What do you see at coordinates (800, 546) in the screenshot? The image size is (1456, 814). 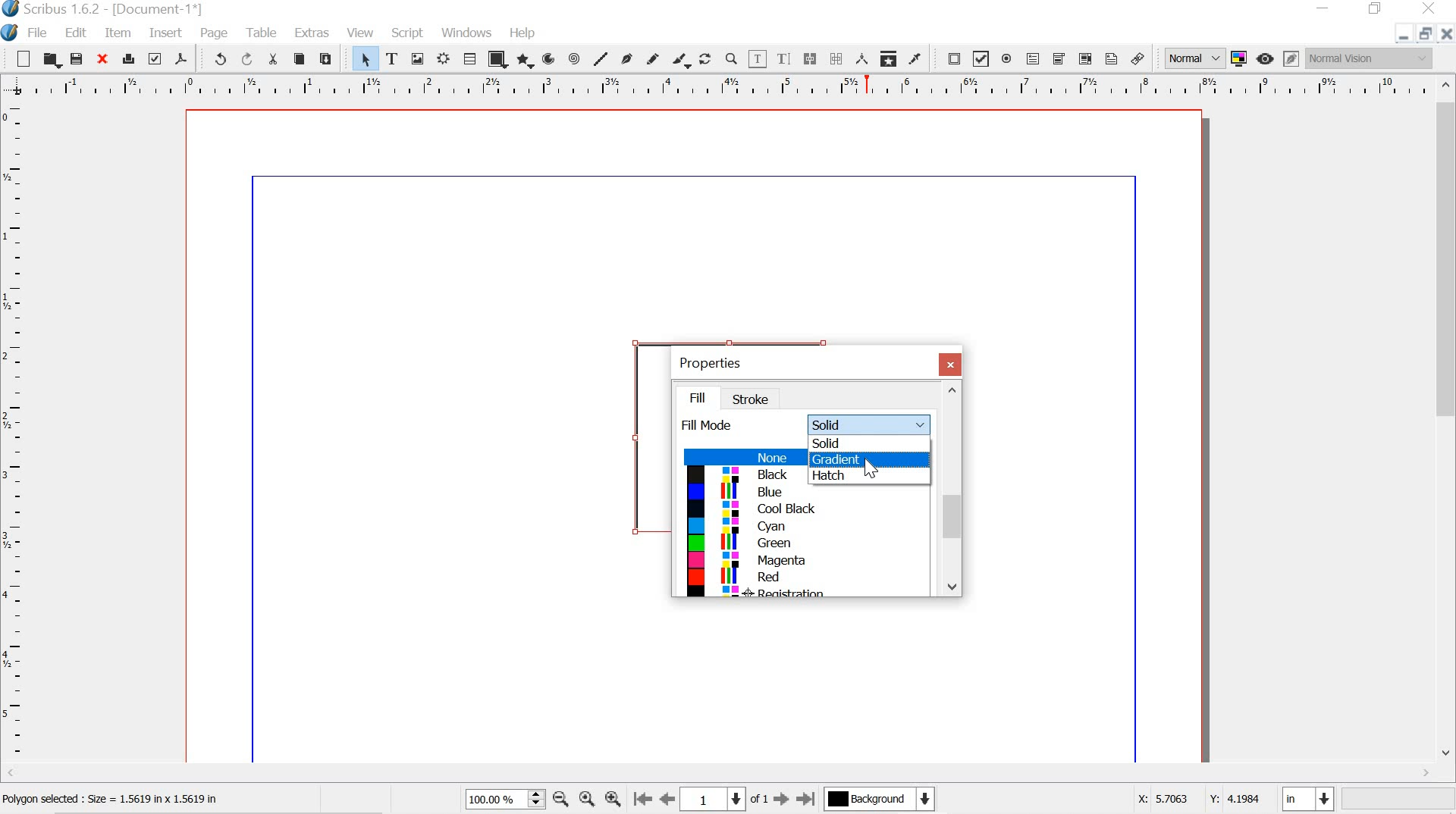 I see `green` at bounding box center [800, 546].